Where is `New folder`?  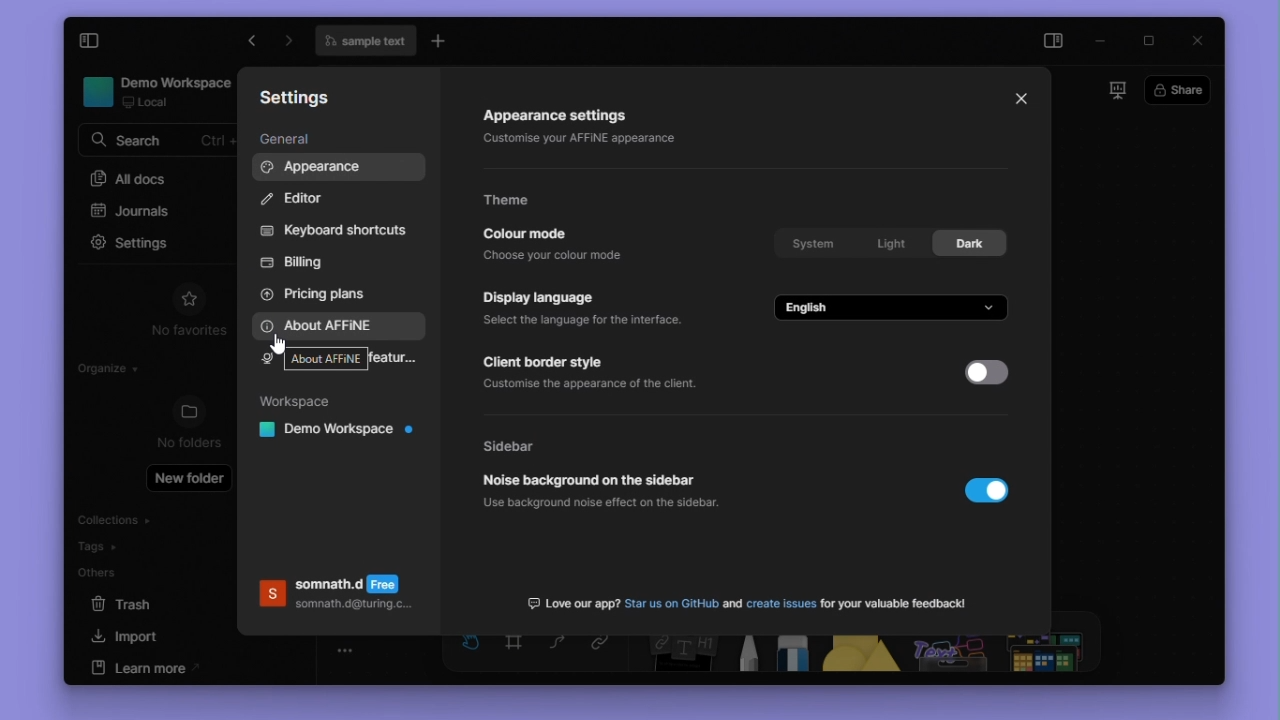 New folder is located at coordinates (190, 477).